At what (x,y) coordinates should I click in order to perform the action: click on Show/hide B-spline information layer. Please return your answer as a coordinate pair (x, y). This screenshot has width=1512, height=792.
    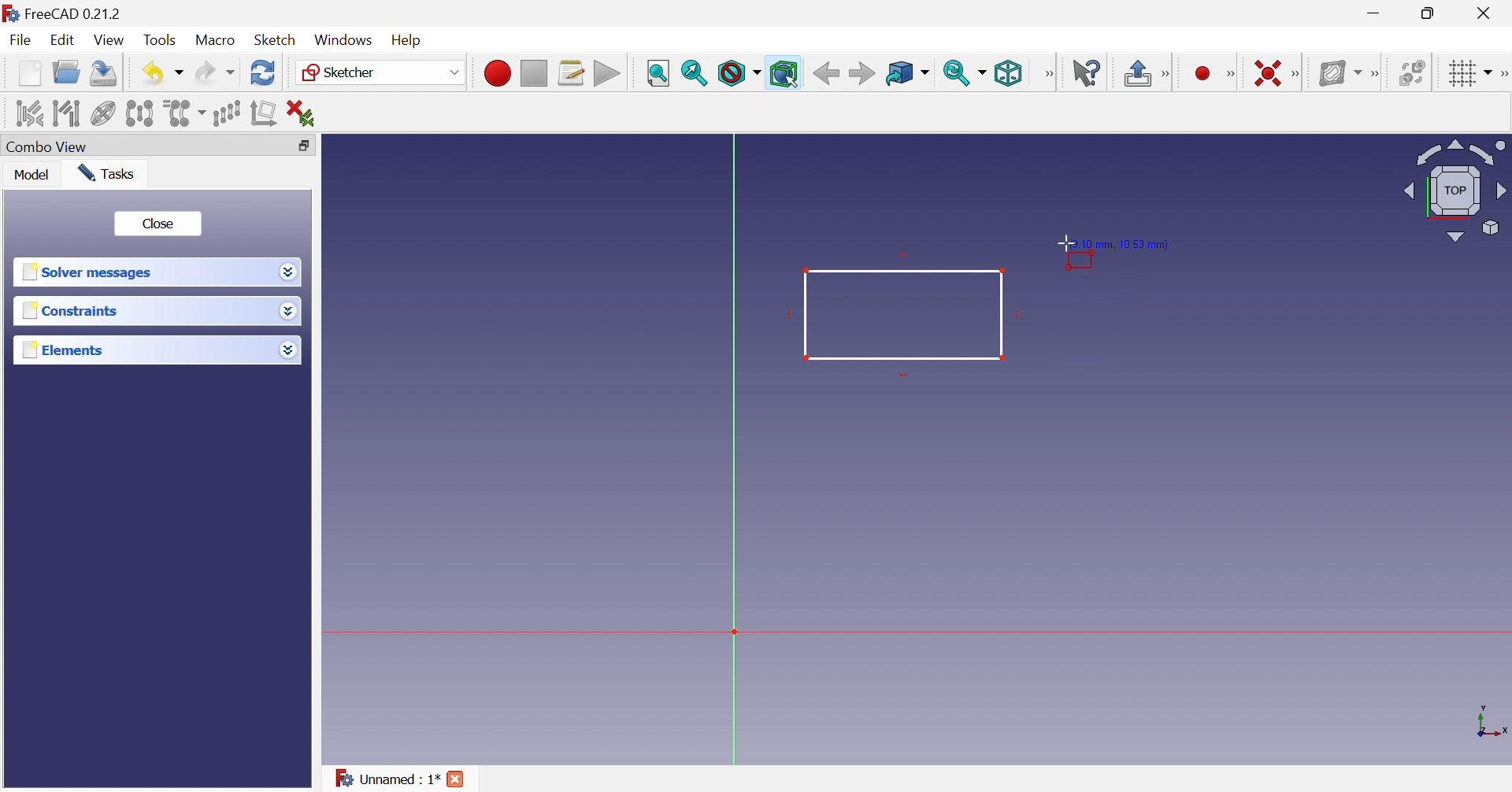
    Looking at the image, I should click on (1339, 73).